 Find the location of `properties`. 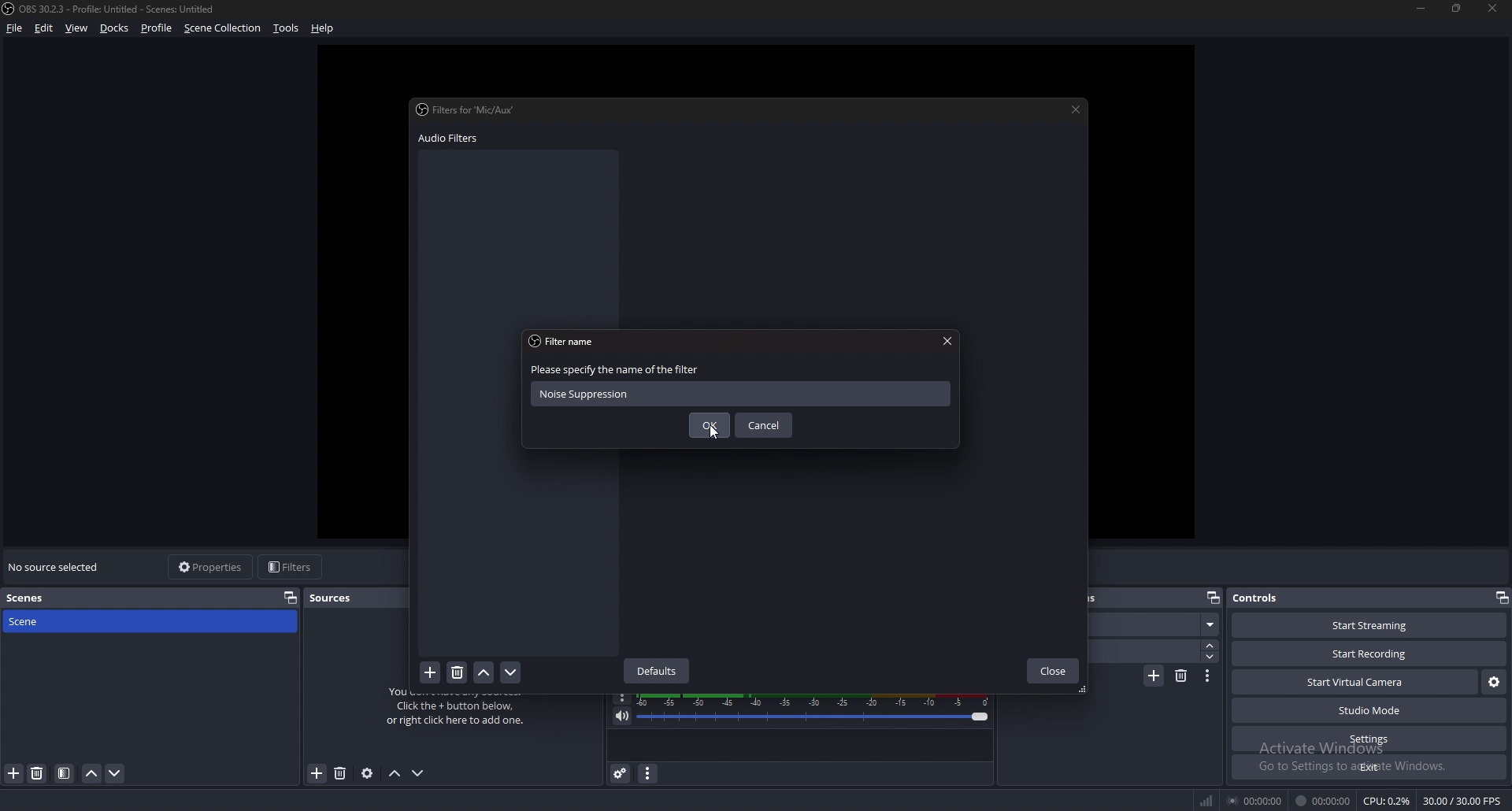

properties is located at coordinates (291, 598).